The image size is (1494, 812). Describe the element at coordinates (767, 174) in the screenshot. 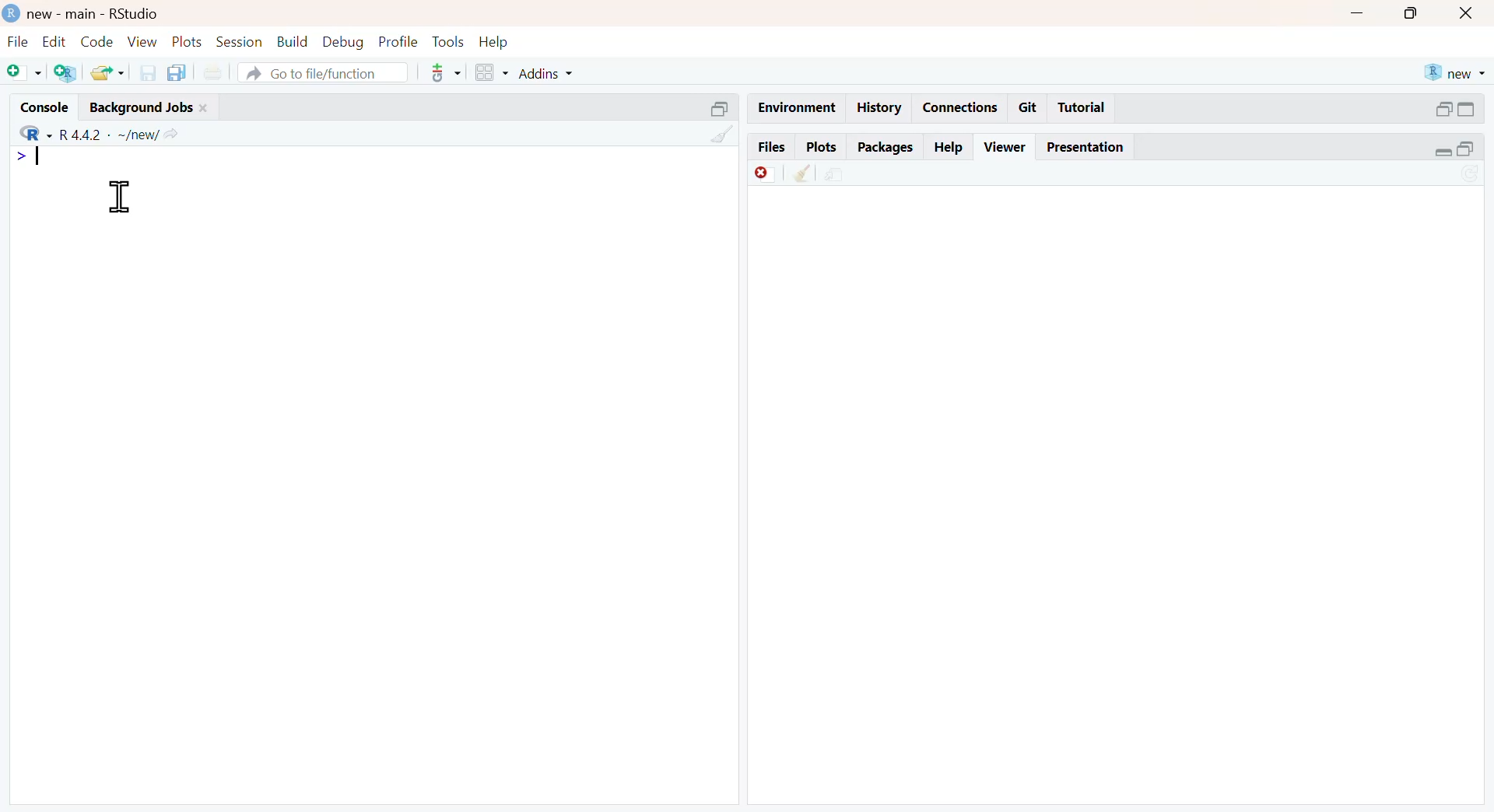

I see `discard` at that location.